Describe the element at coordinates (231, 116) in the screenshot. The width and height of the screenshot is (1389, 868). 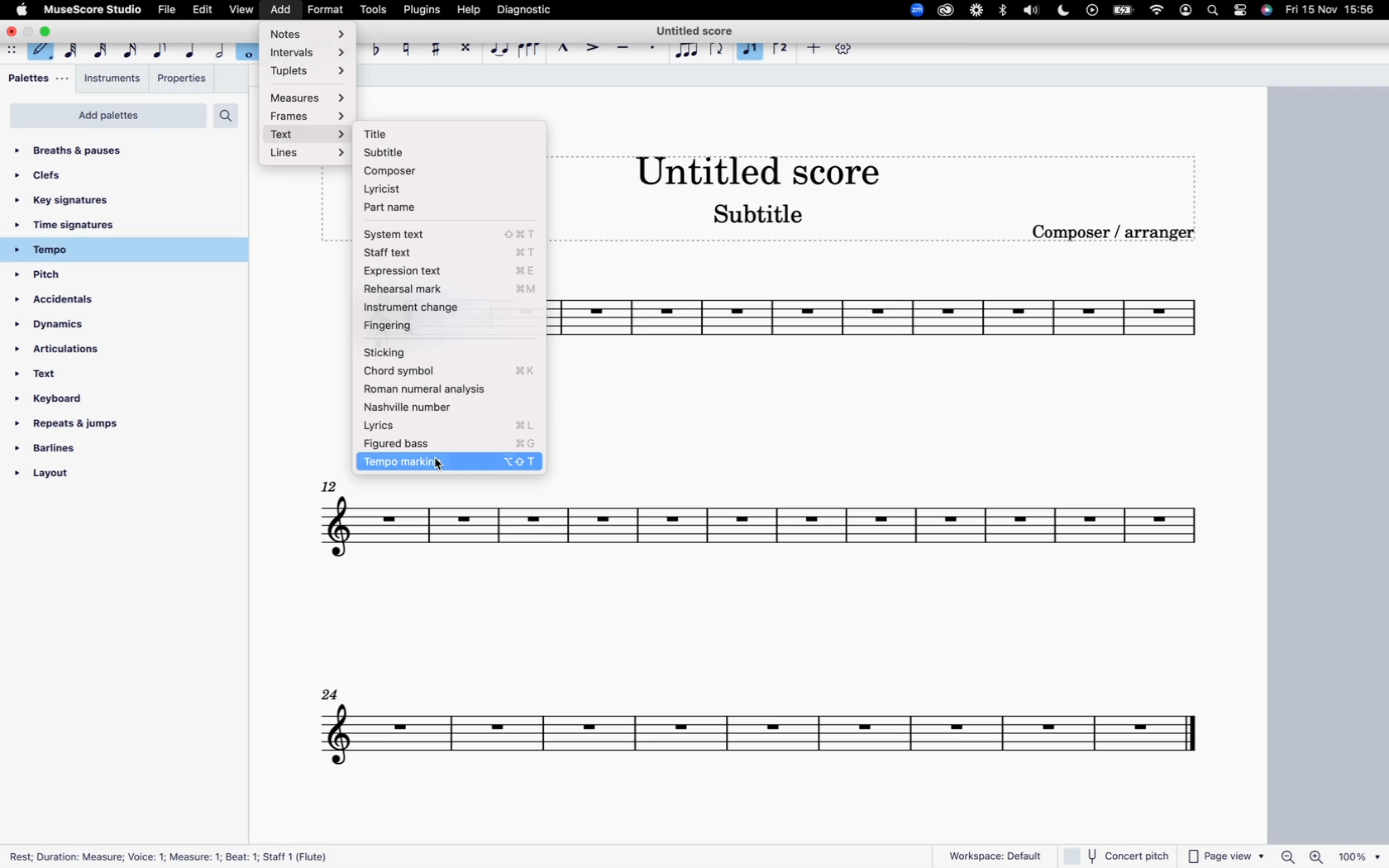
I see `search` at that location.